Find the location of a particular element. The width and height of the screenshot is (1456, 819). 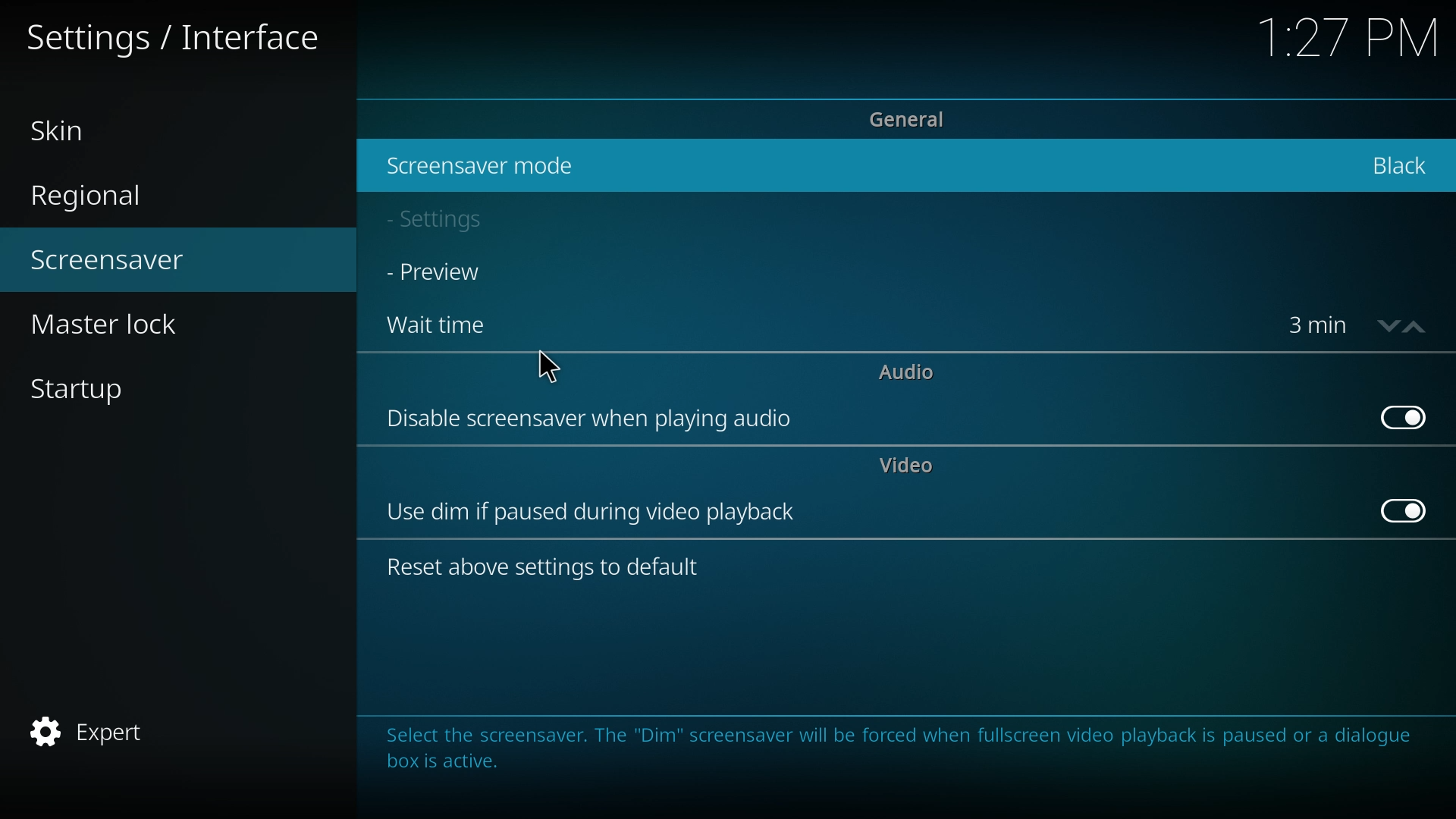

settings/interface is located at coordinates (180, 35).